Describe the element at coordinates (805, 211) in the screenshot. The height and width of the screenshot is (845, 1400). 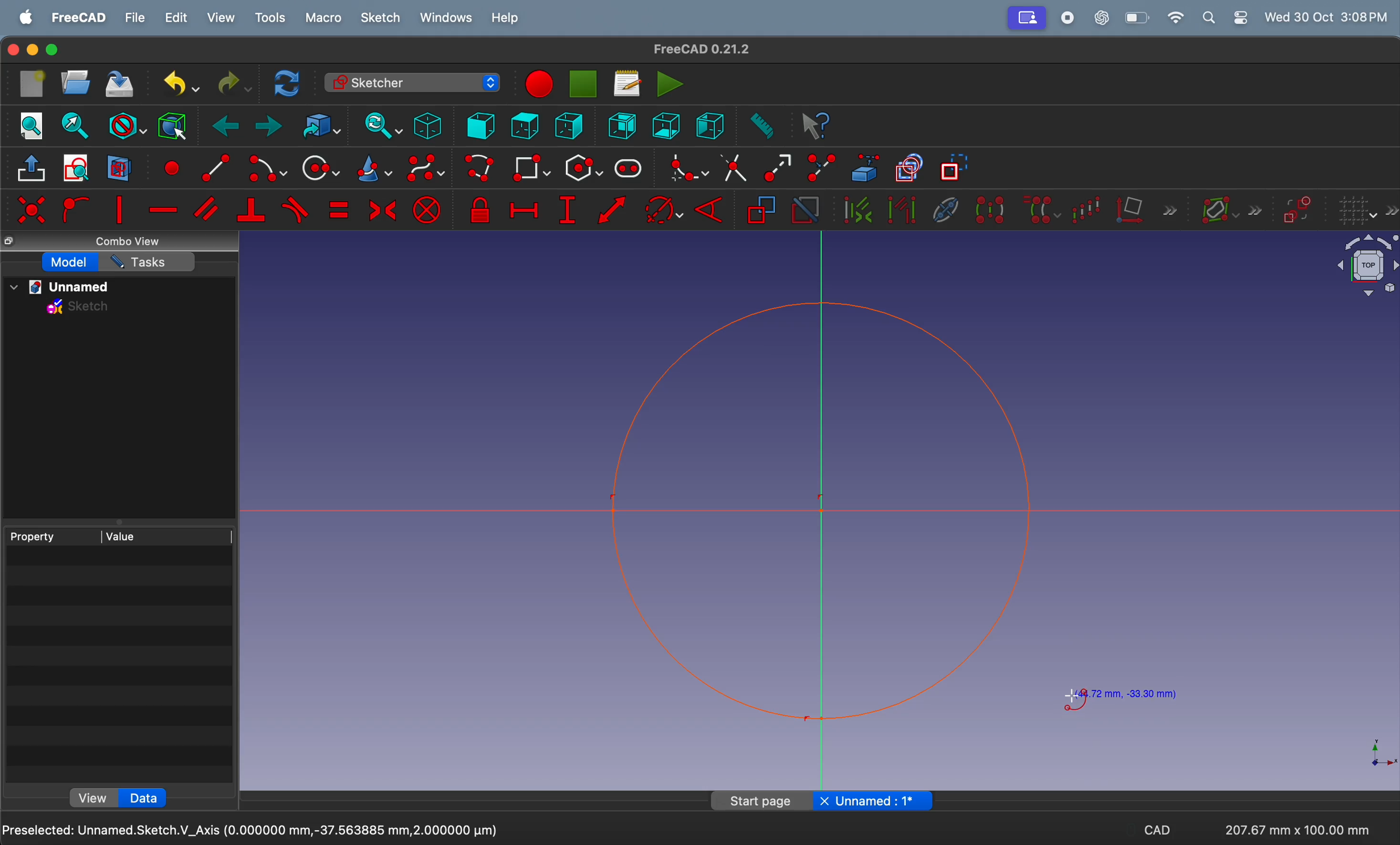
I see `activate constraint` at that location.